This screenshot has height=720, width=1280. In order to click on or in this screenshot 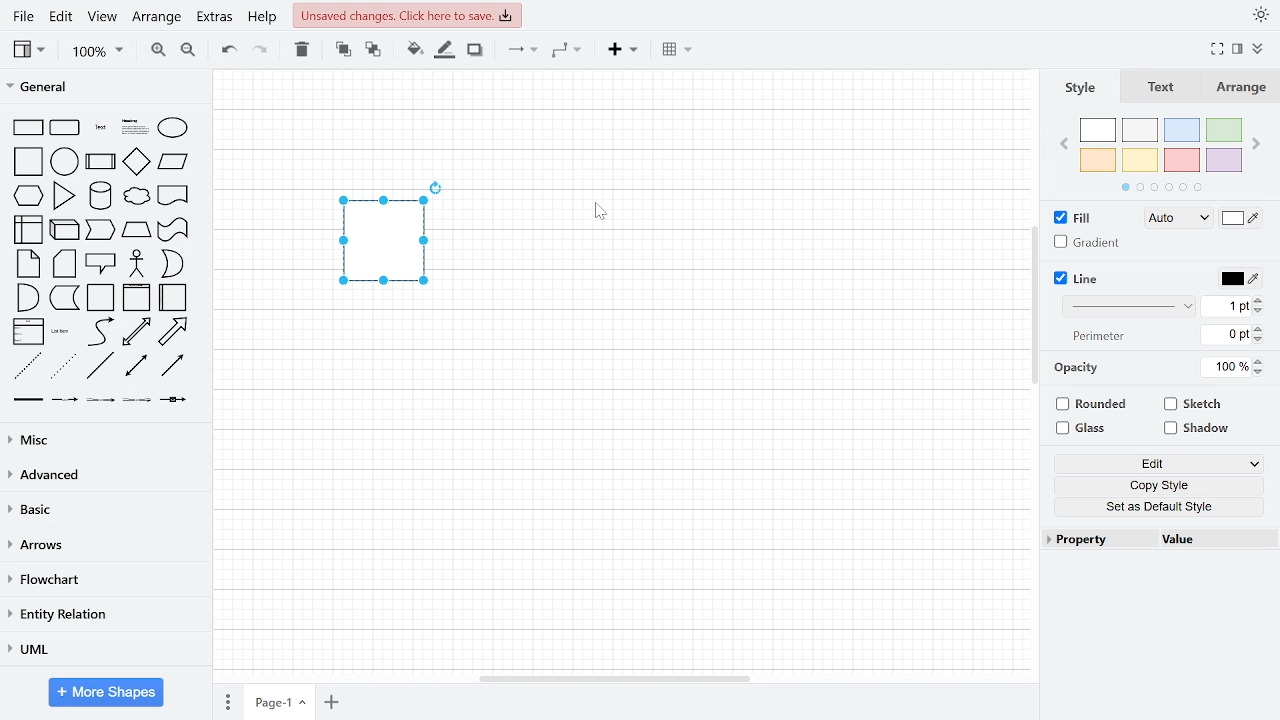, I will do `click(171, 264)`.